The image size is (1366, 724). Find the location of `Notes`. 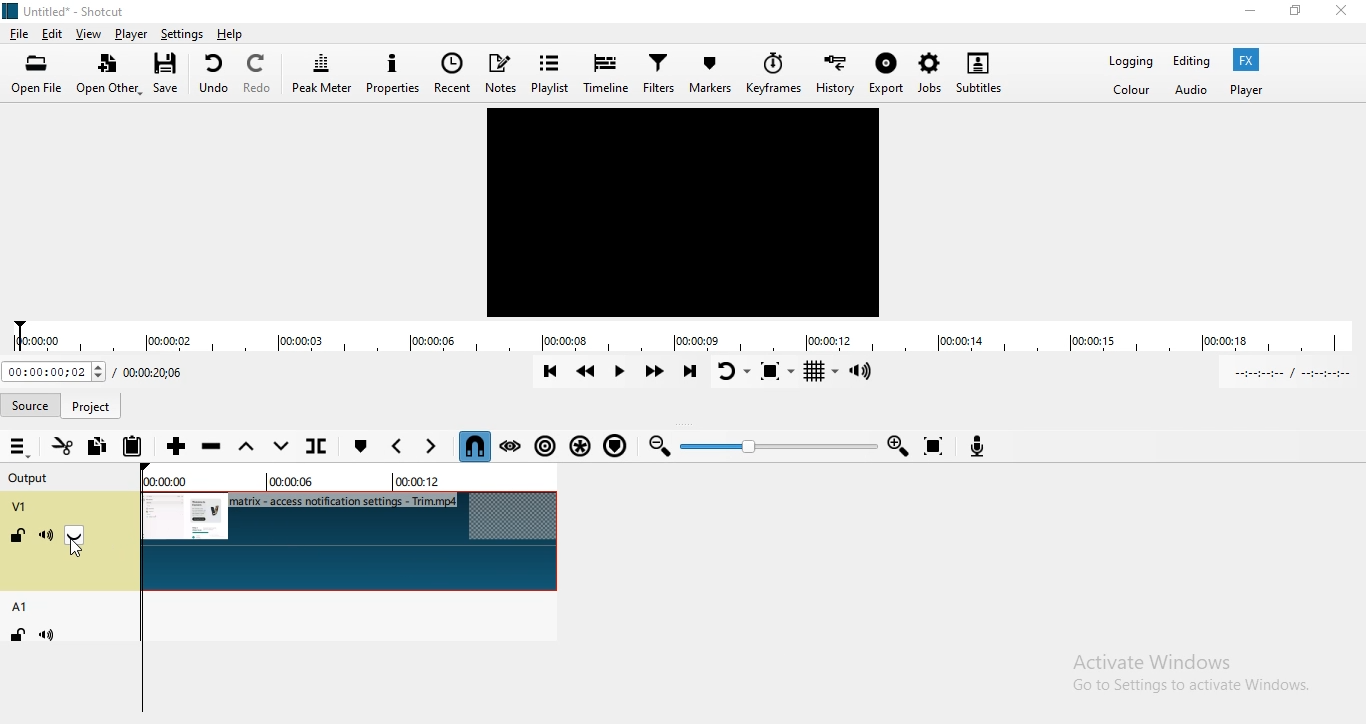

Notes is located at coordinates (504, 71).